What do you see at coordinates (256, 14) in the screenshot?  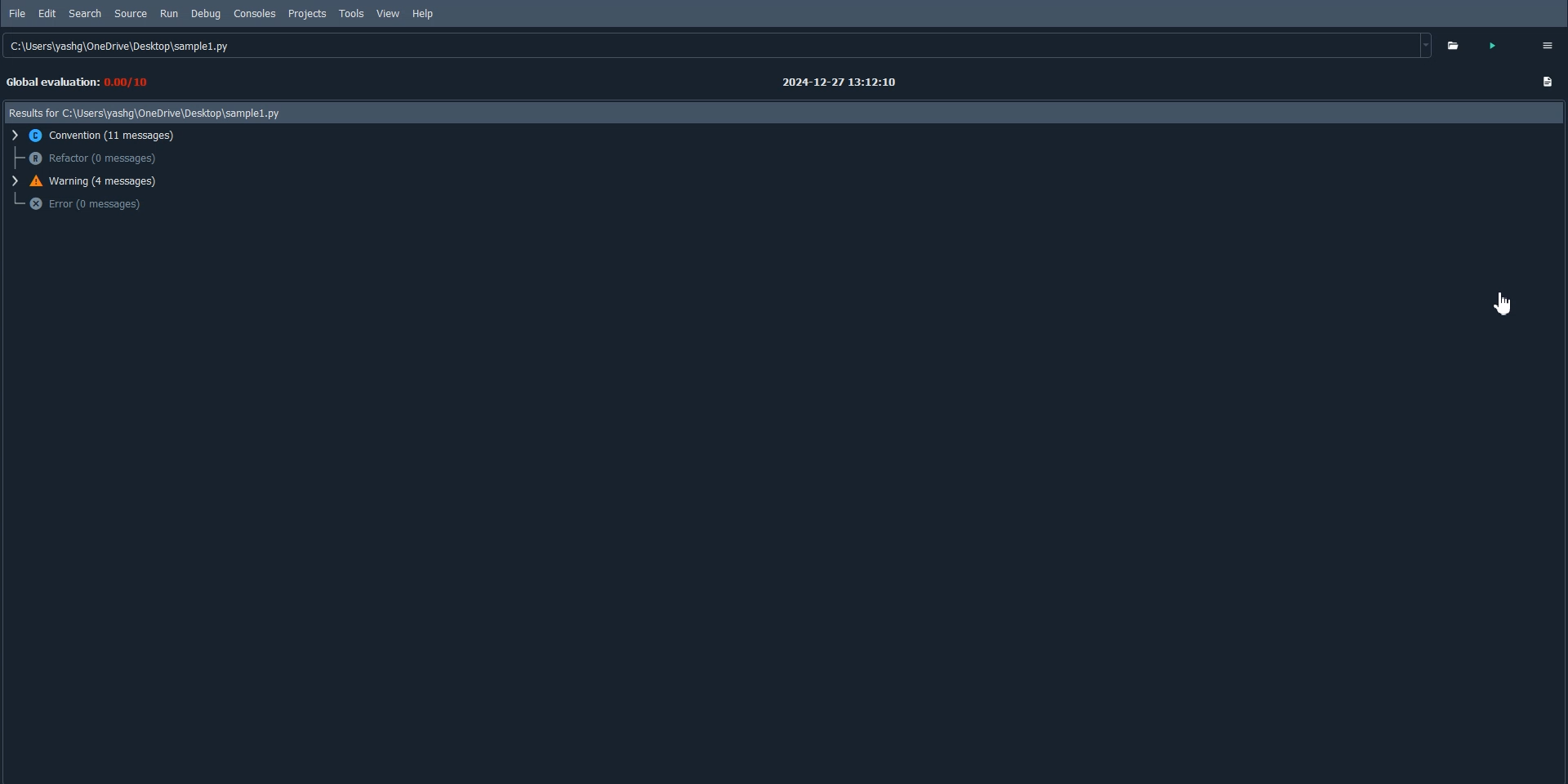 I see `Consoles` at bounding box center [256, 14].